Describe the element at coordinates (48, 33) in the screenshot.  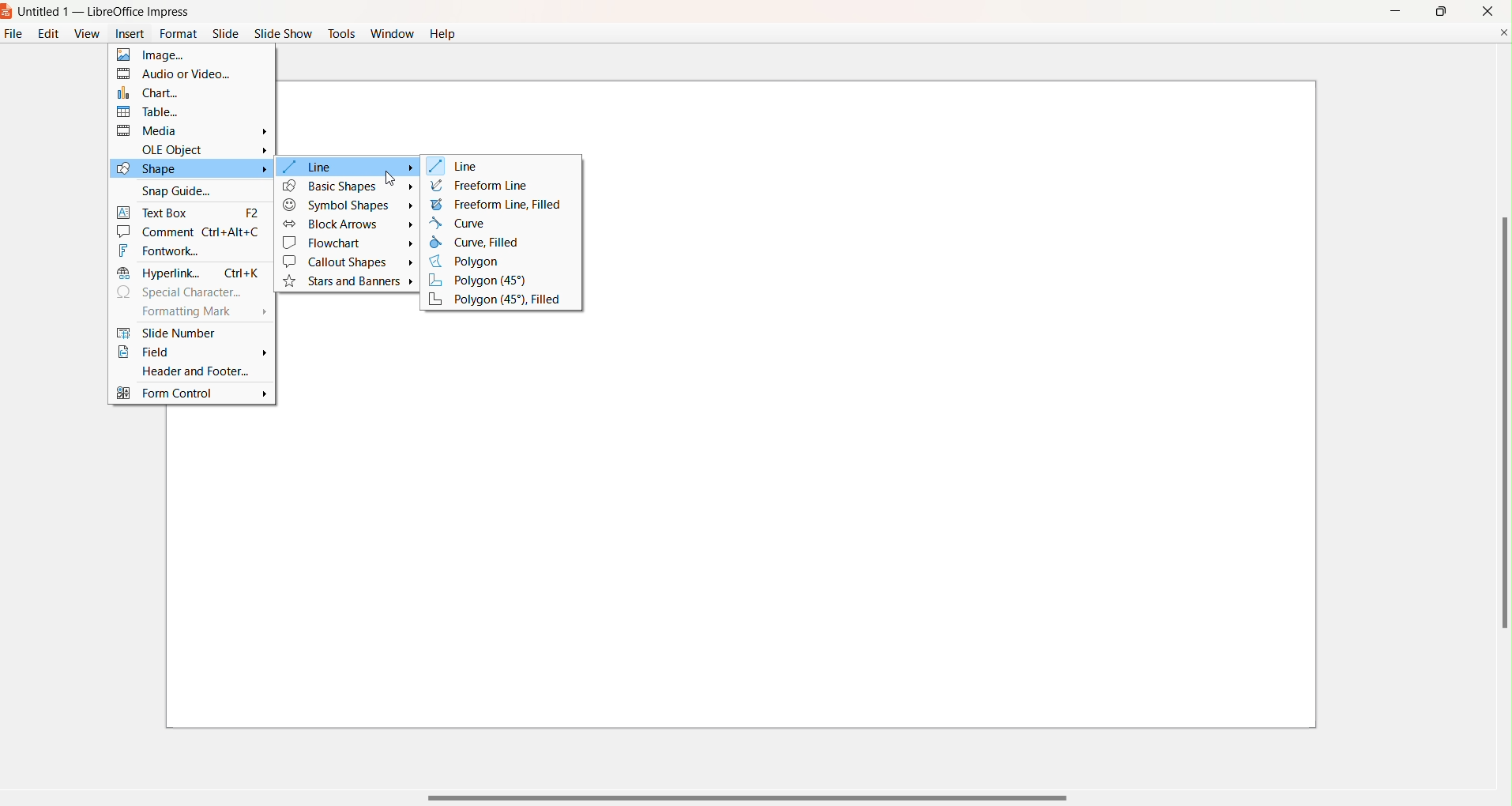
I see `Edit` at that location.